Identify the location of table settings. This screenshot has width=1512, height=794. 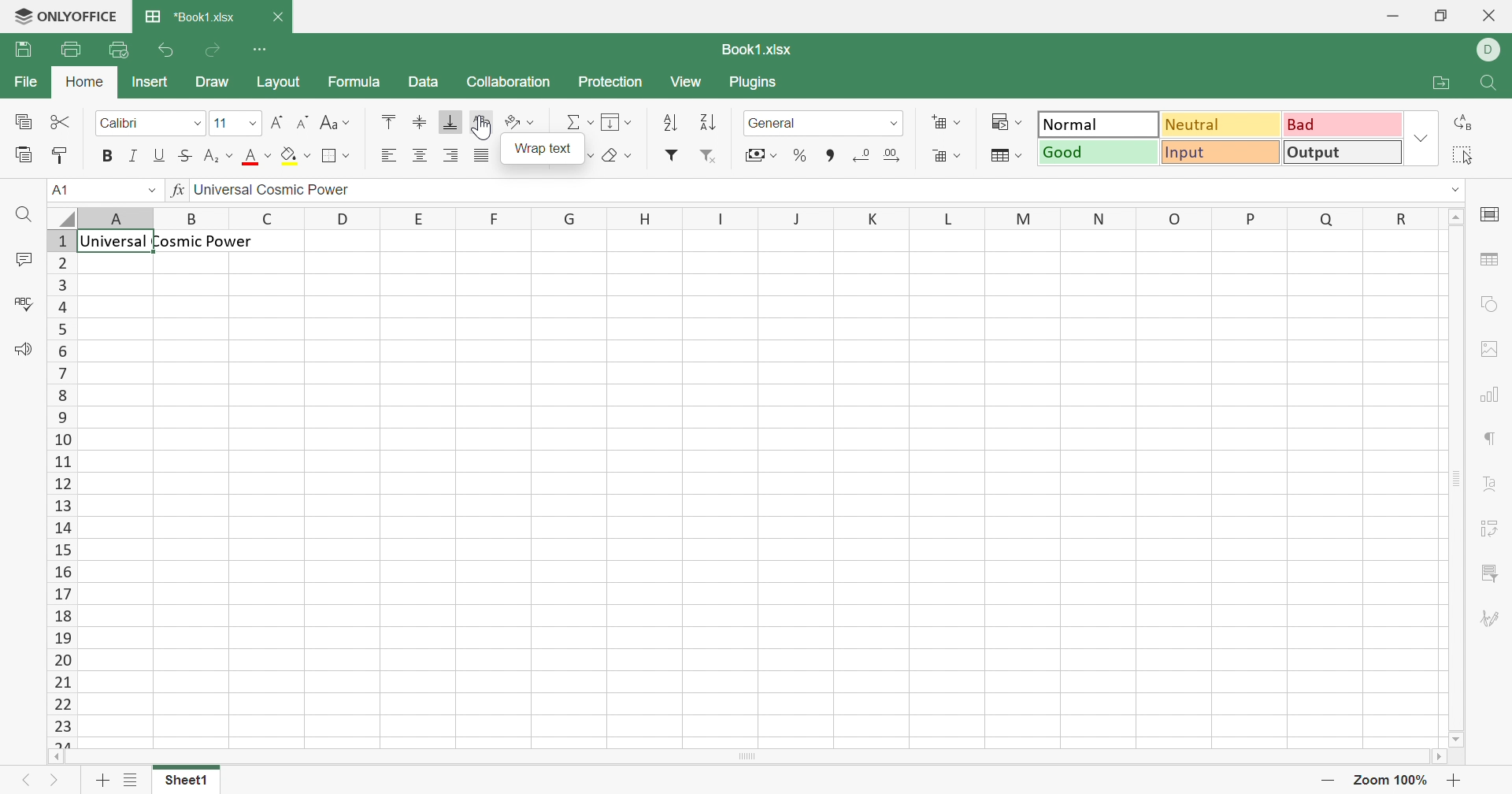
(1492, 258).